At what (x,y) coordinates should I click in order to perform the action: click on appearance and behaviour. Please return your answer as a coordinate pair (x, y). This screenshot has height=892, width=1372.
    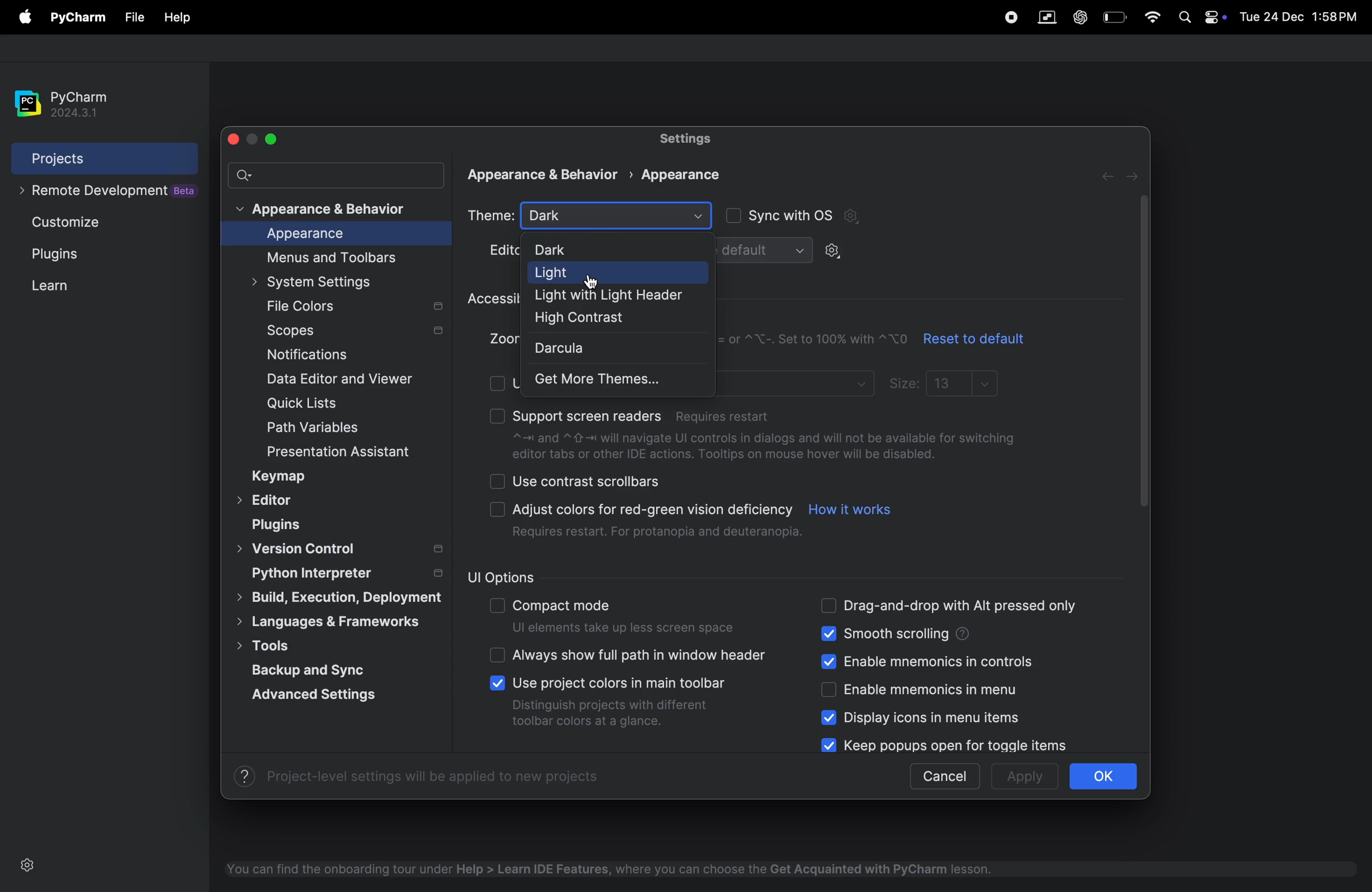
    Looking at the image, I should click on (332, 211).